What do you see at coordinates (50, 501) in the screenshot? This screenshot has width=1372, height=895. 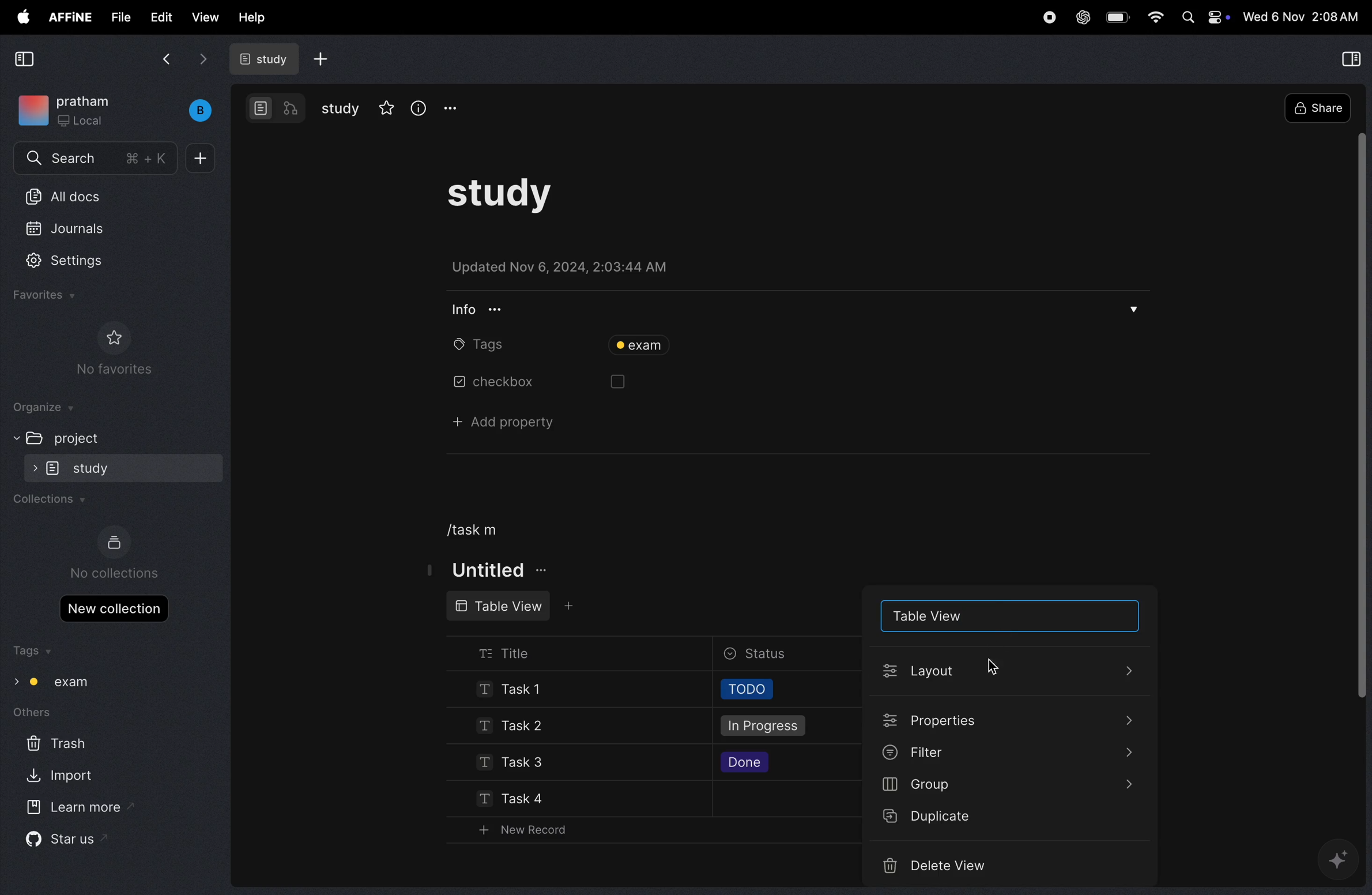 I see `collections` at bounding box center [50, 501].